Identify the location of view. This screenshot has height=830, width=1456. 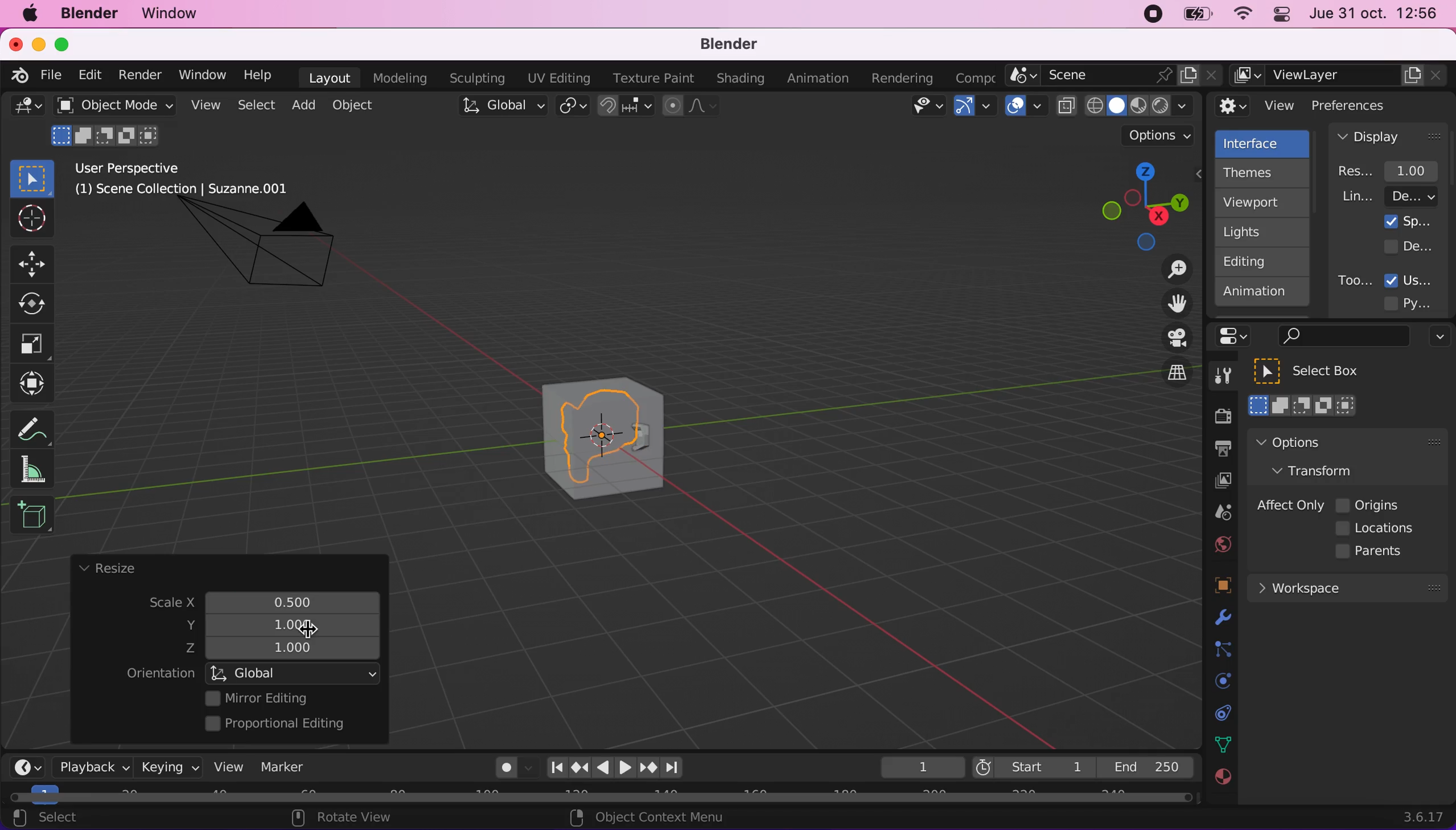
(203, 105).